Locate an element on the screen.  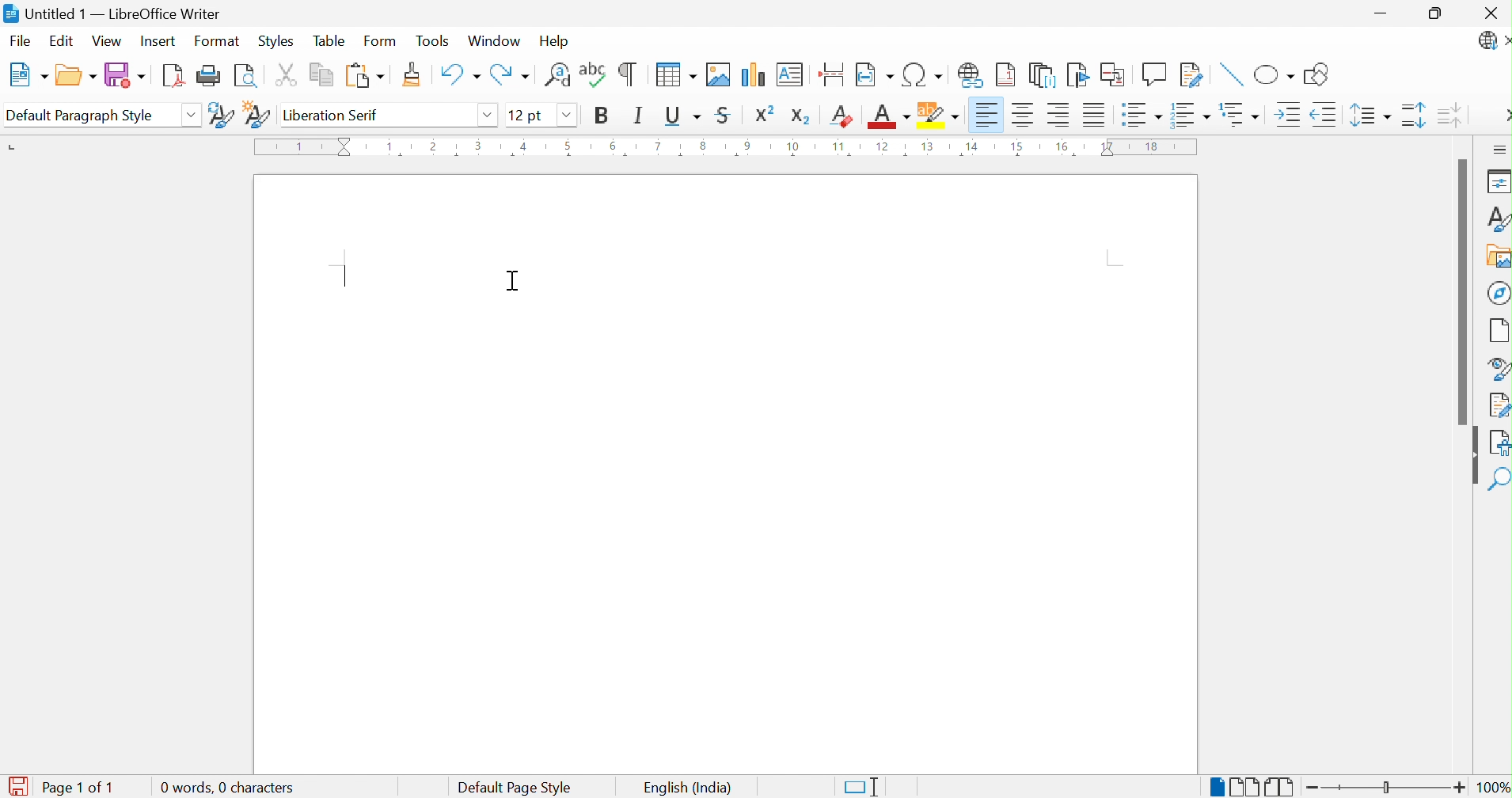
Zoom Out is located at coordinates (1313, 788).